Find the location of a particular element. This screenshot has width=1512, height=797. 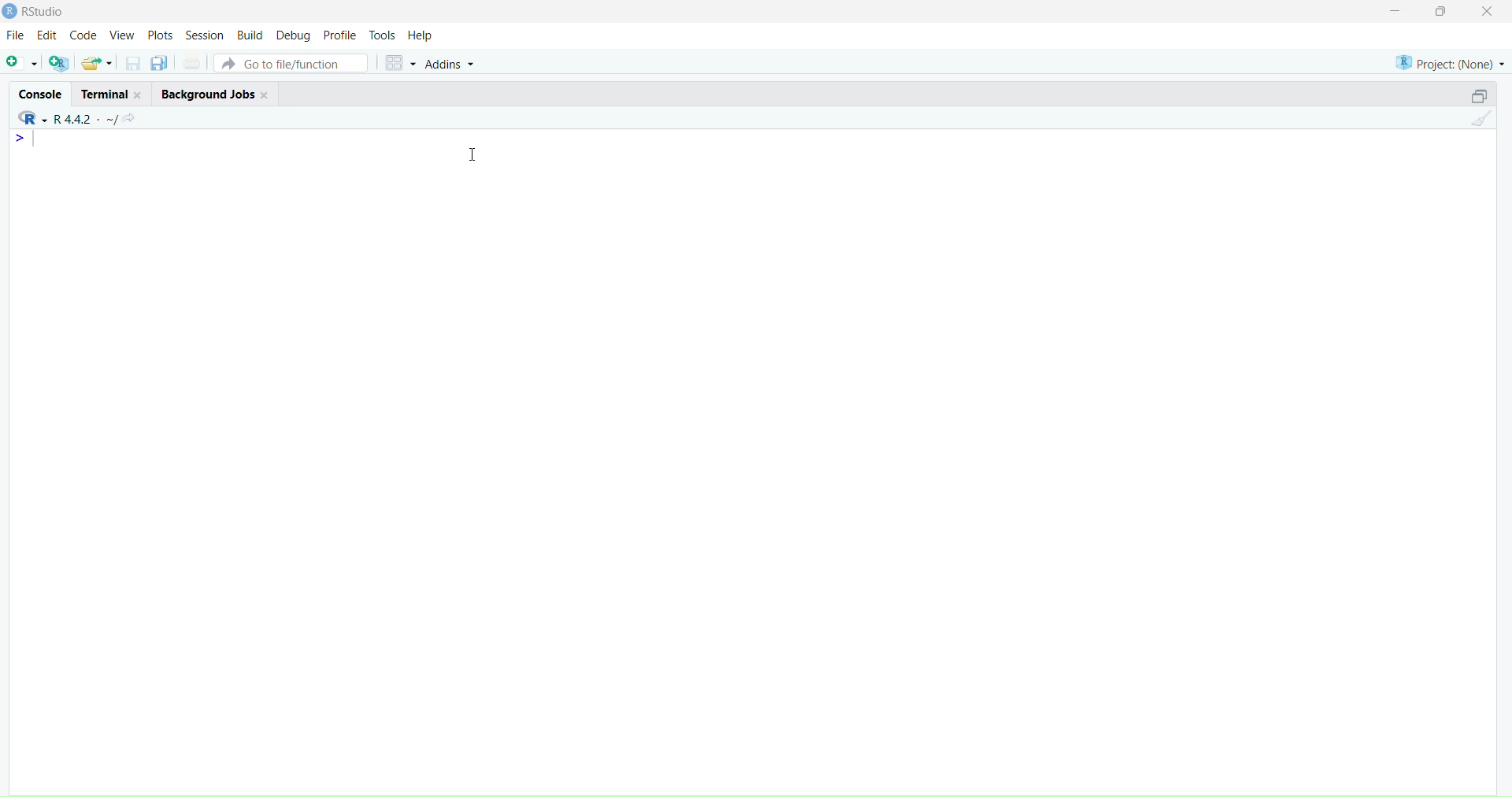

session is located at coordinates (206, 36).